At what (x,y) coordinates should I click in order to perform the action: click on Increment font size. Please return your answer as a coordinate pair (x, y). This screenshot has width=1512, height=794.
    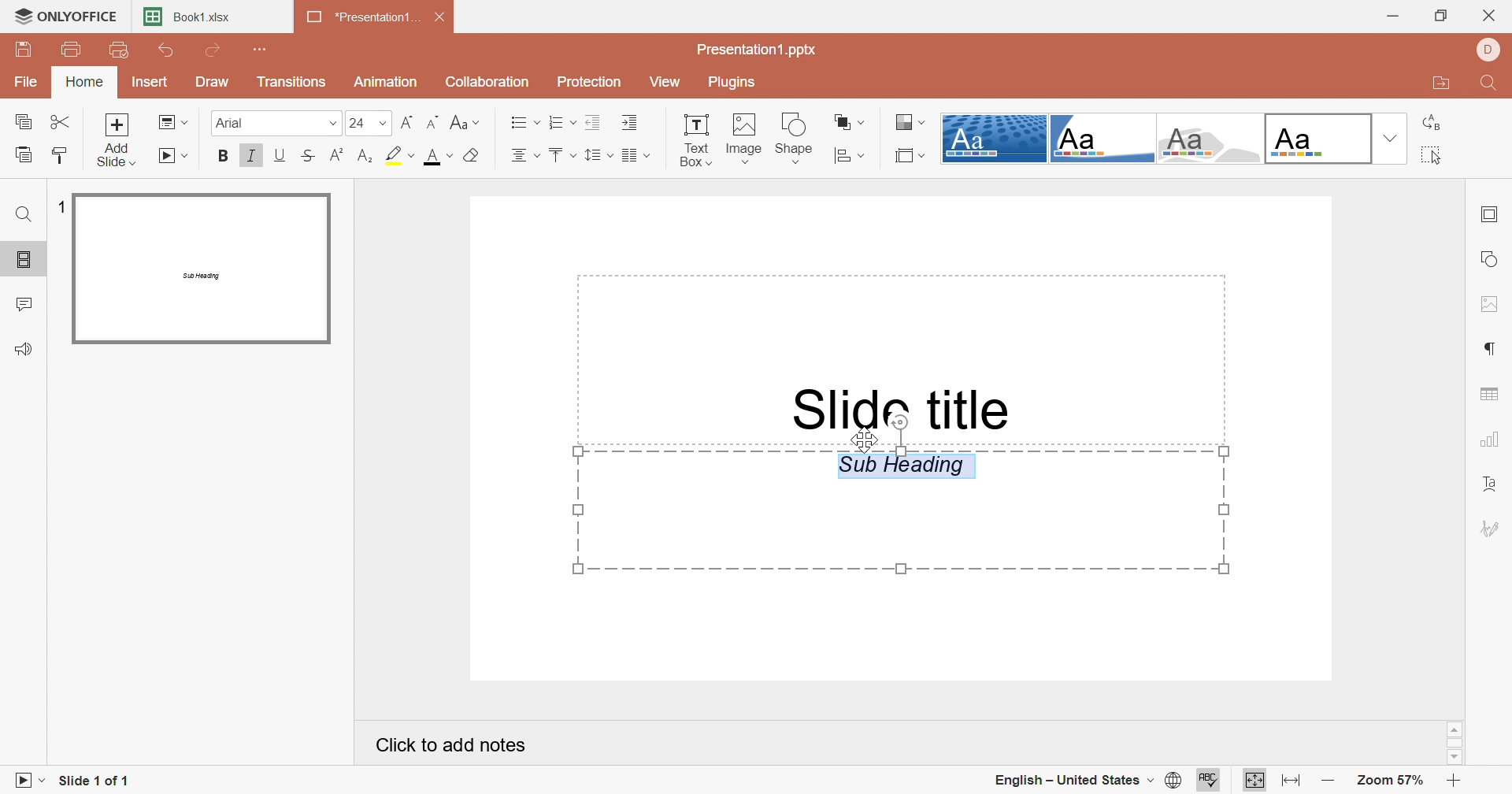
    Looking at the image, I should click on (435, 122).